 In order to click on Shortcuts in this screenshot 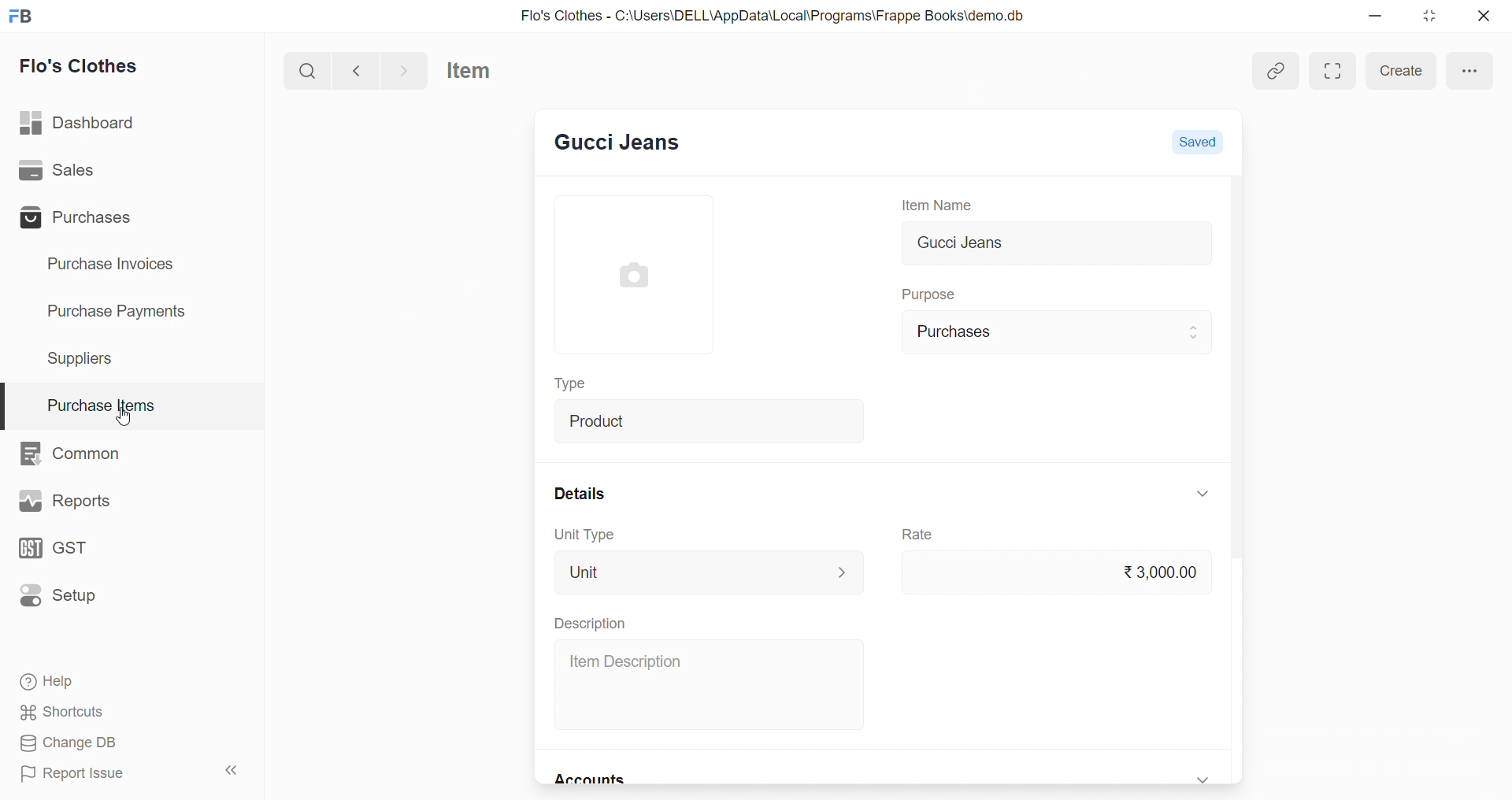, I will do `click(127, 711)`.